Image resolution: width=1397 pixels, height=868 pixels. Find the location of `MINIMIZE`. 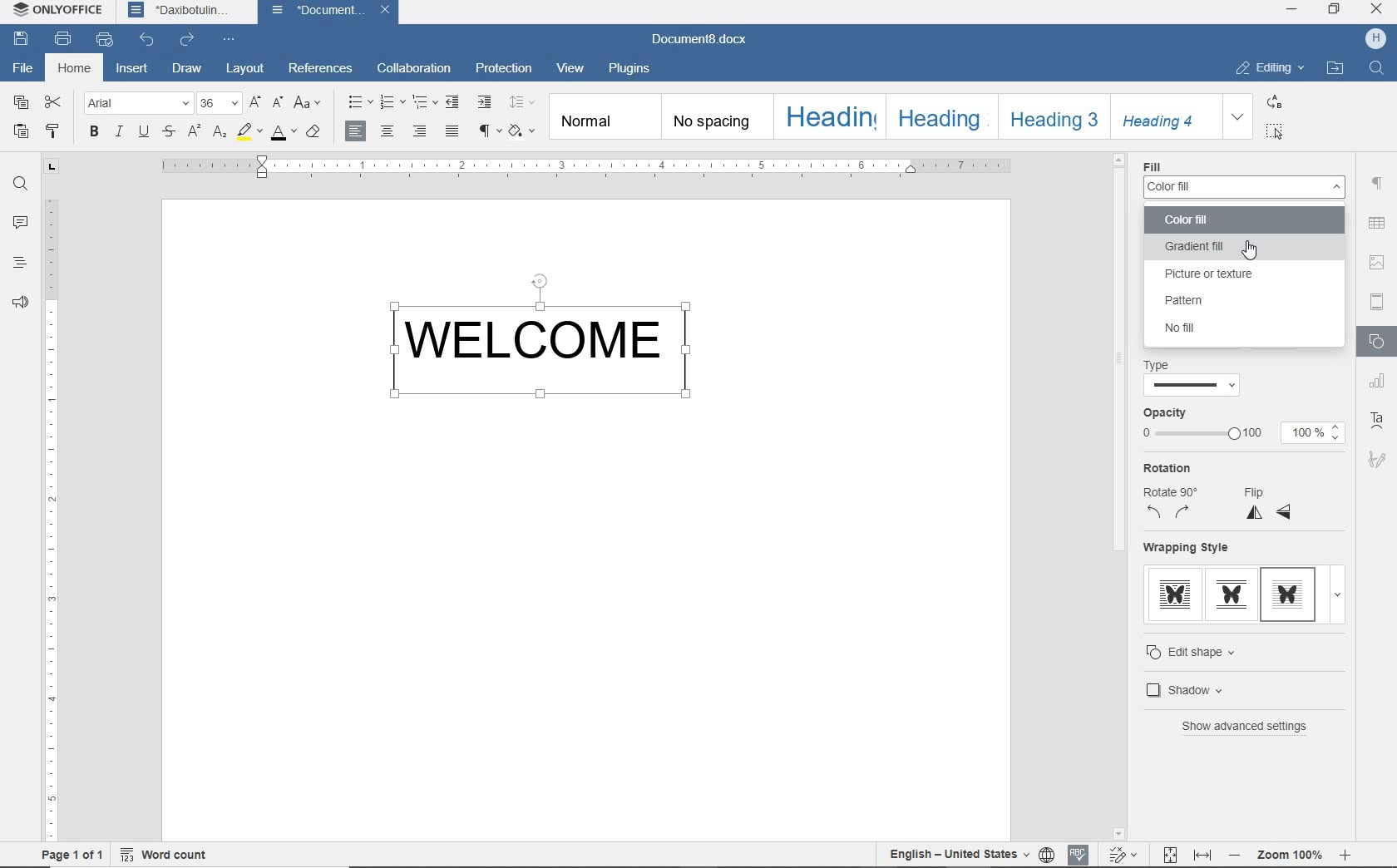

MINIMIZE is located at coordinates (1292, 8).